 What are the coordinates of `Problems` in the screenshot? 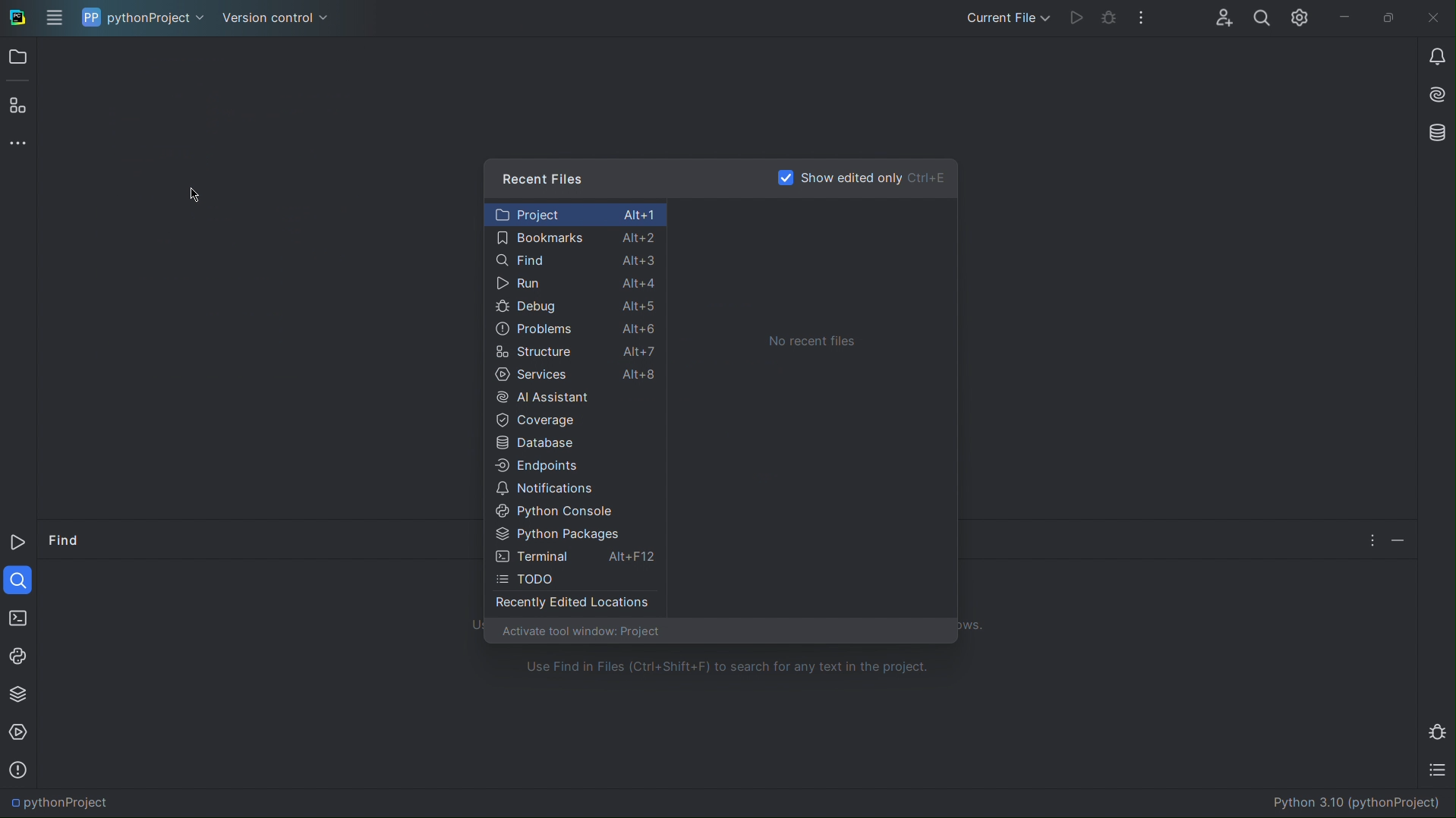 It's located at (575, 329).